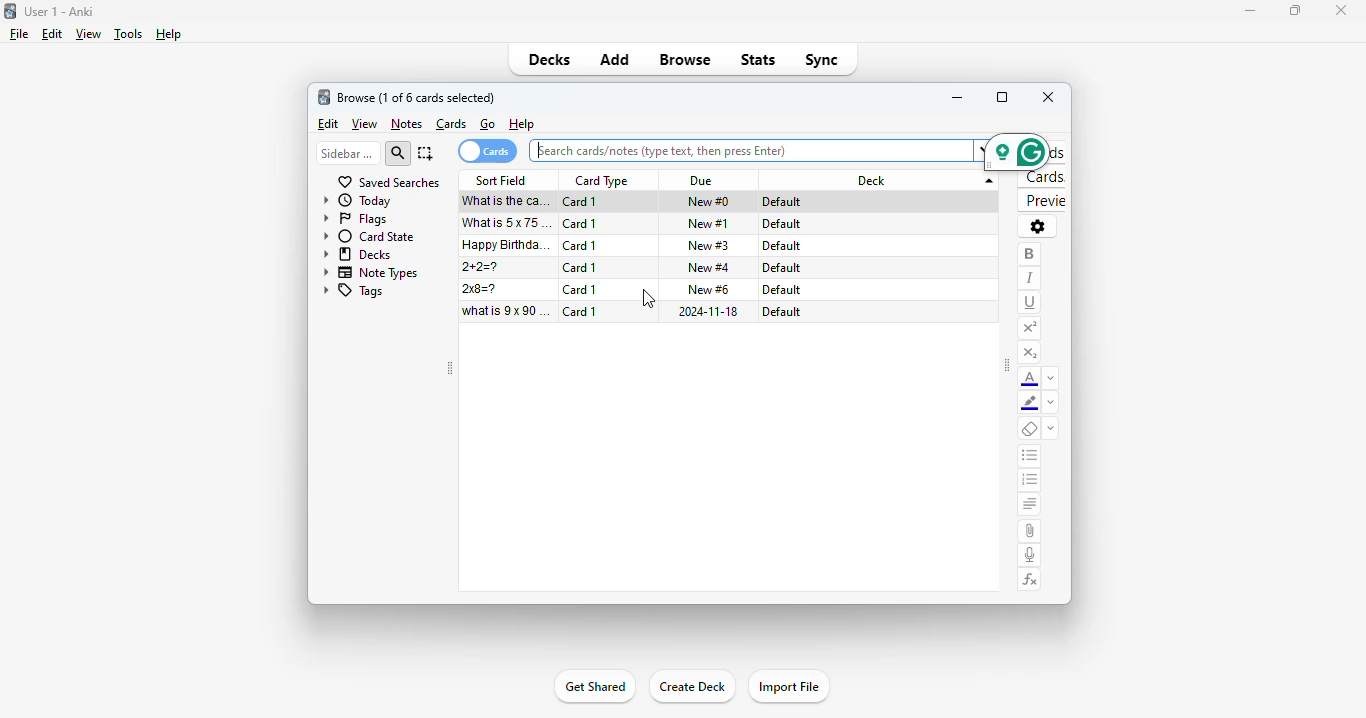 This screenshot has height=718, width=1366. What do you see at coordinates (1037, 226) in the screenshot?
I see `options` at bounding box center [1037, 226].